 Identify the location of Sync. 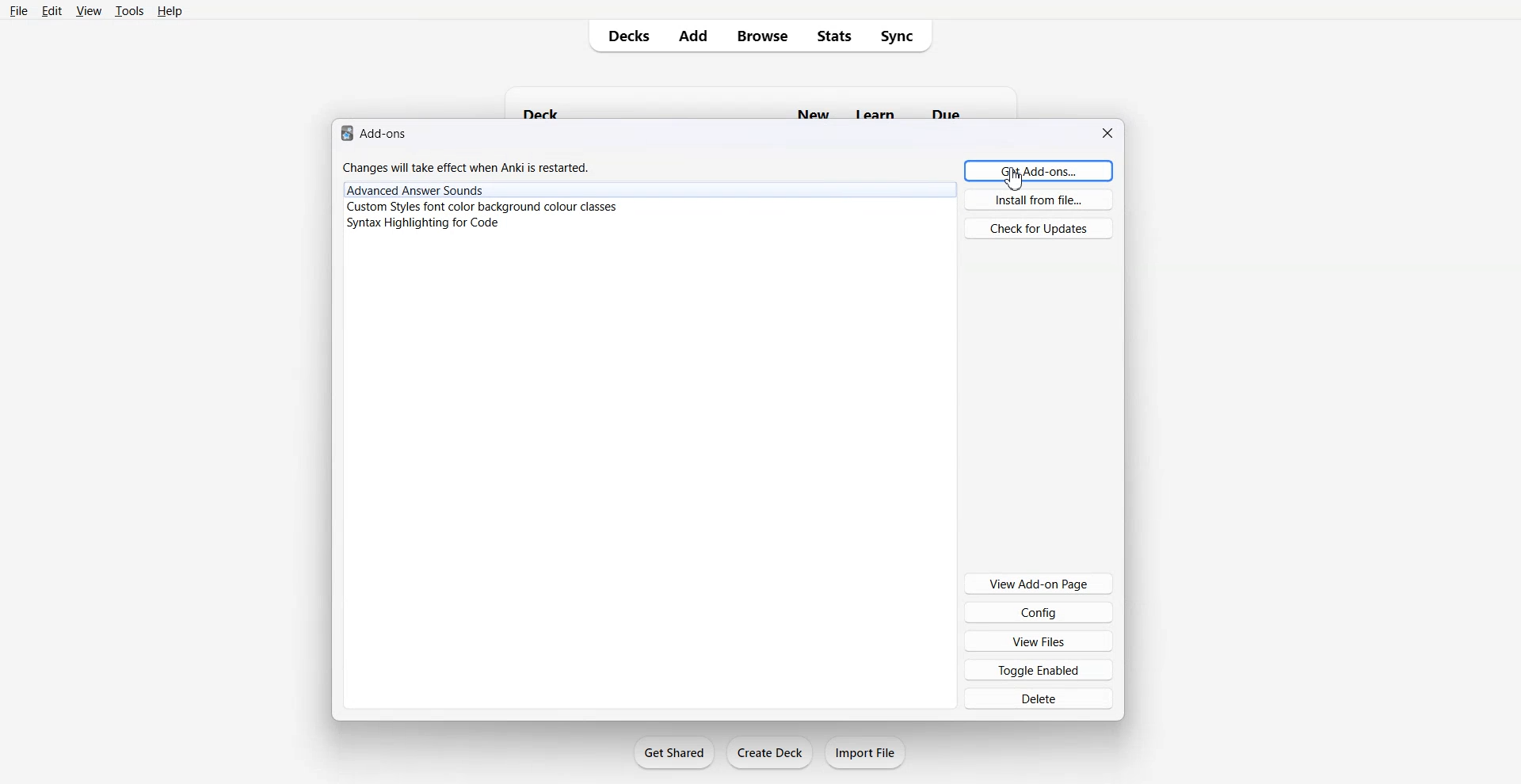
(902, 36).